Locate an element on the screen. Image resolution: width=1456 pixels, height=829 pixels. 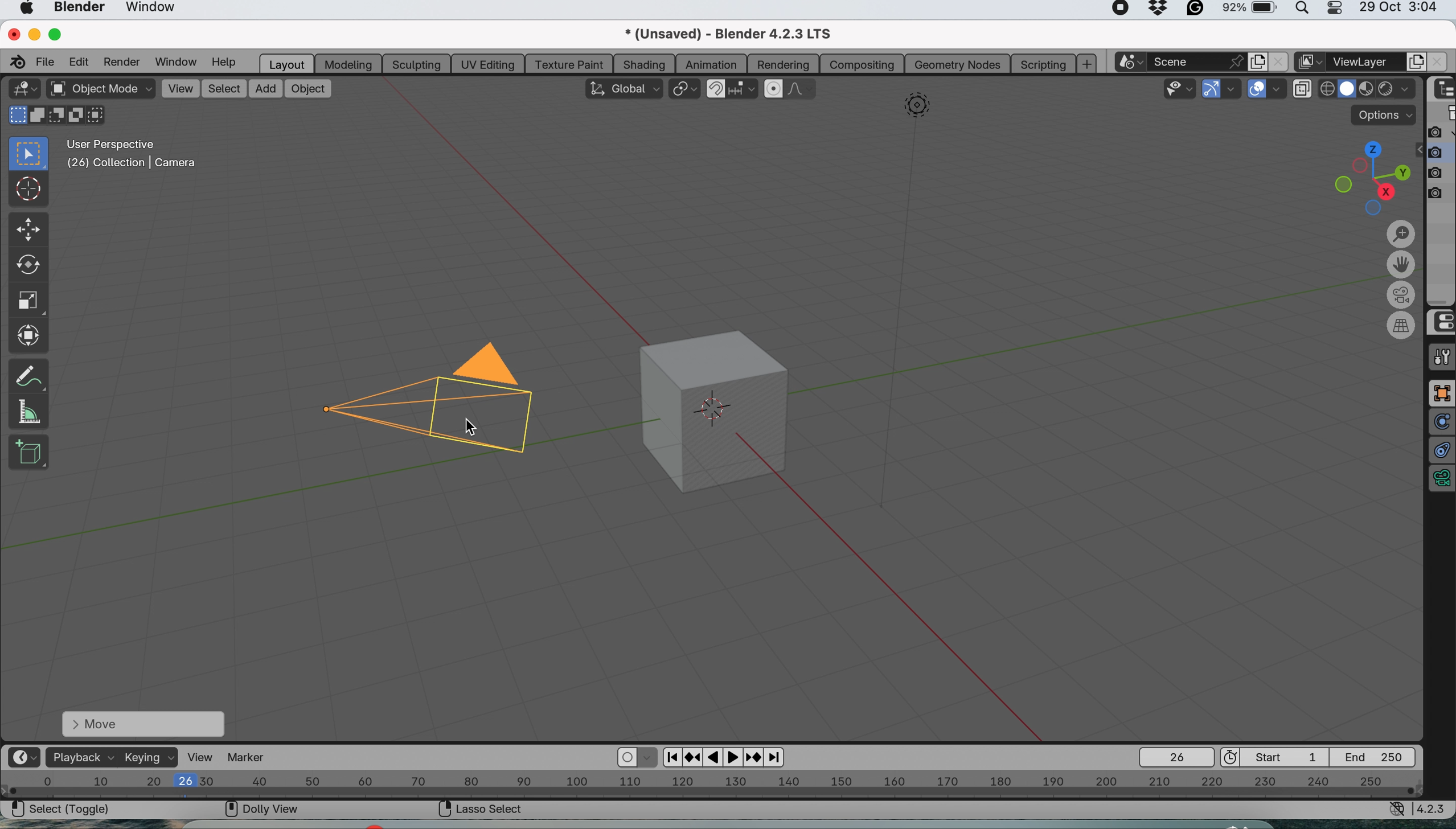
cursor is located at coordinates (481, 429).